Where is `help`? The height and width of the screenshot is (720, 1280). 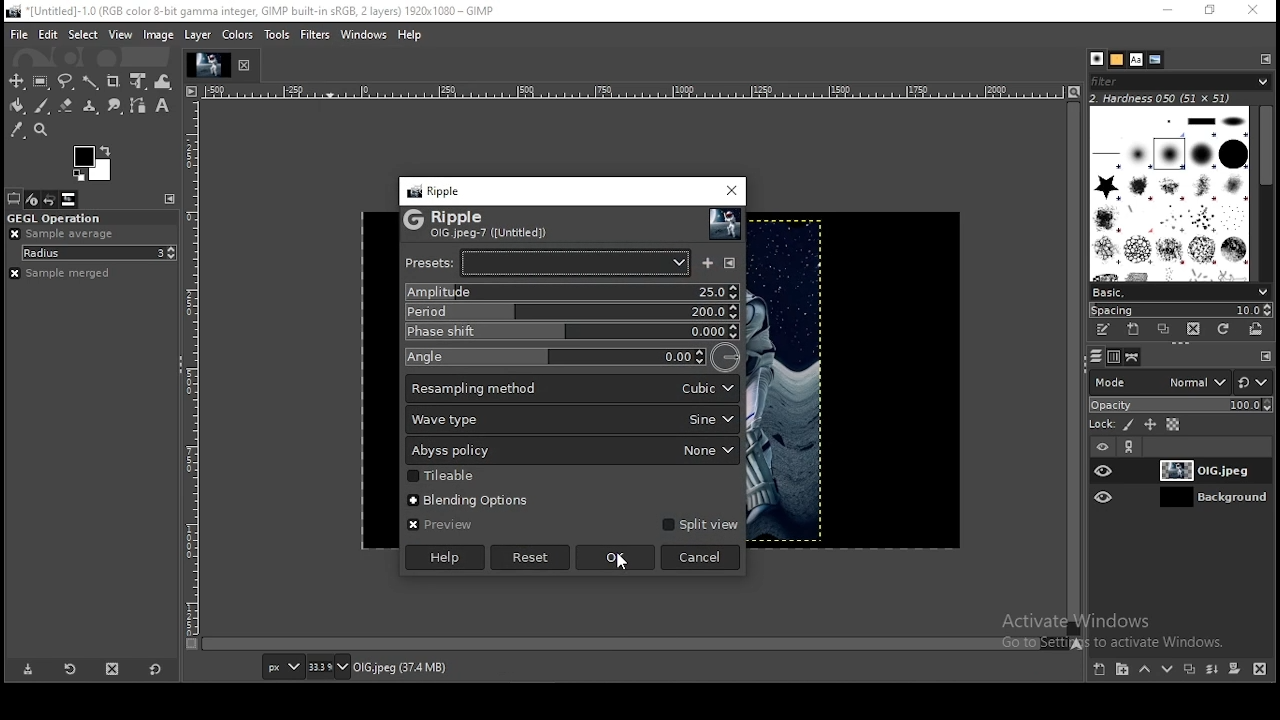
help is located at coordinates (410, 34).